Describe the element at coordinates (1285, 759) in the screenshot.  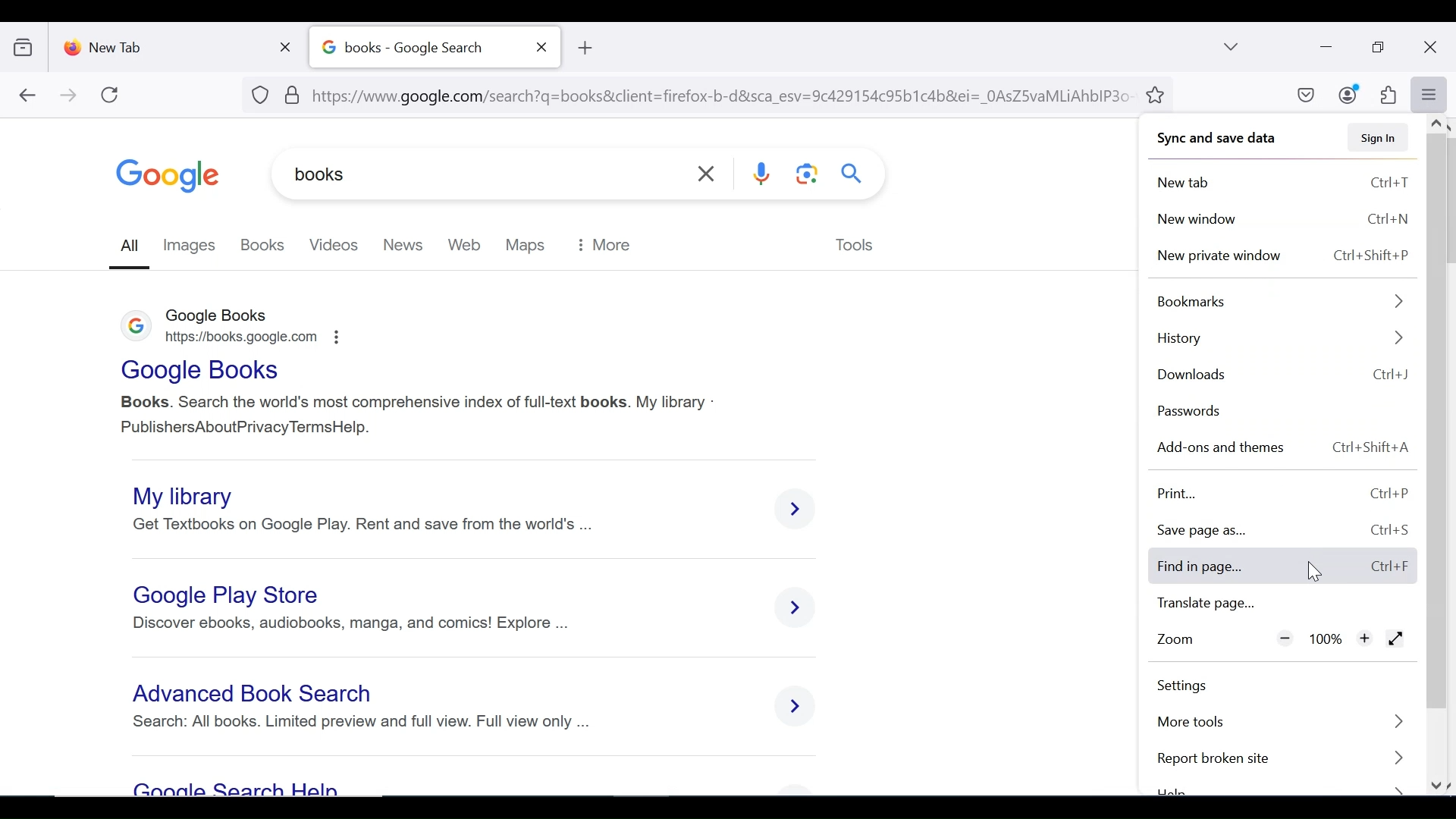
I see `report broken site` at that location.